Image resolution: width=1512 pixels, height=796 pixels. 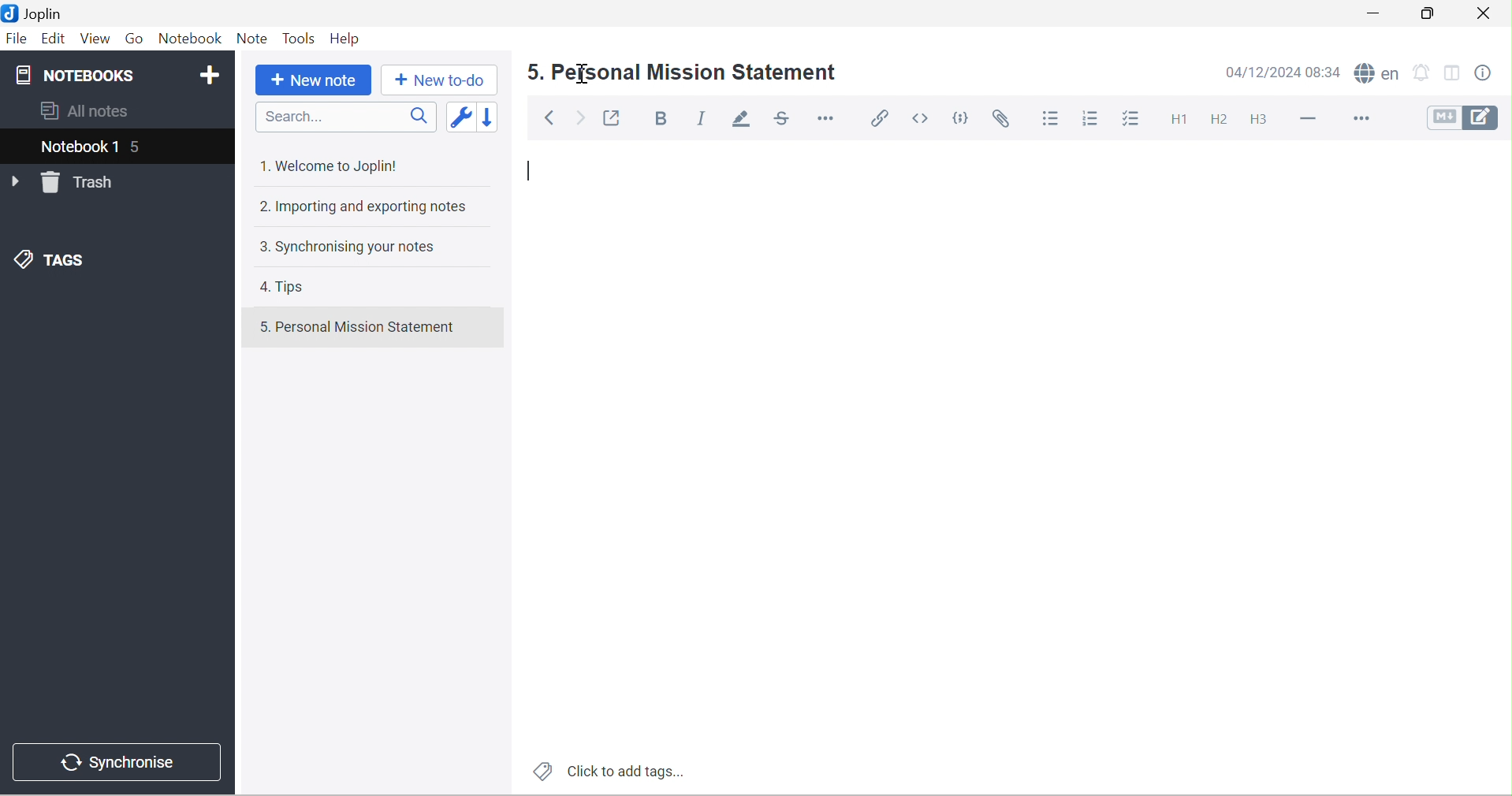 What do you see at coordinates (1489, 16) in the screenshot?
I see `Close` at bounding box center [1489, 16].